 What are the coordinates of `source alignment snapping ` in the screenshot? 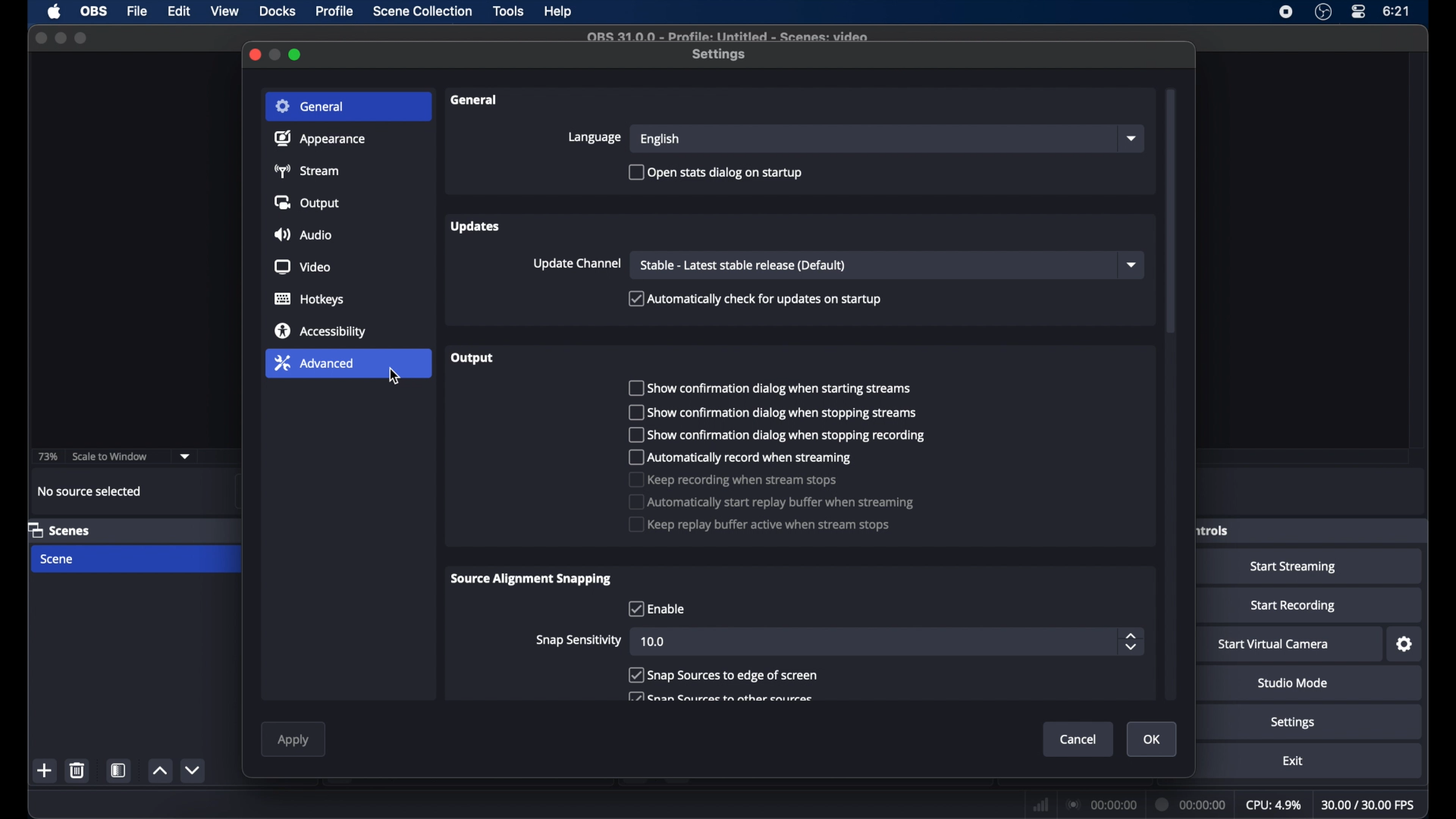 It's located at (534, 579).